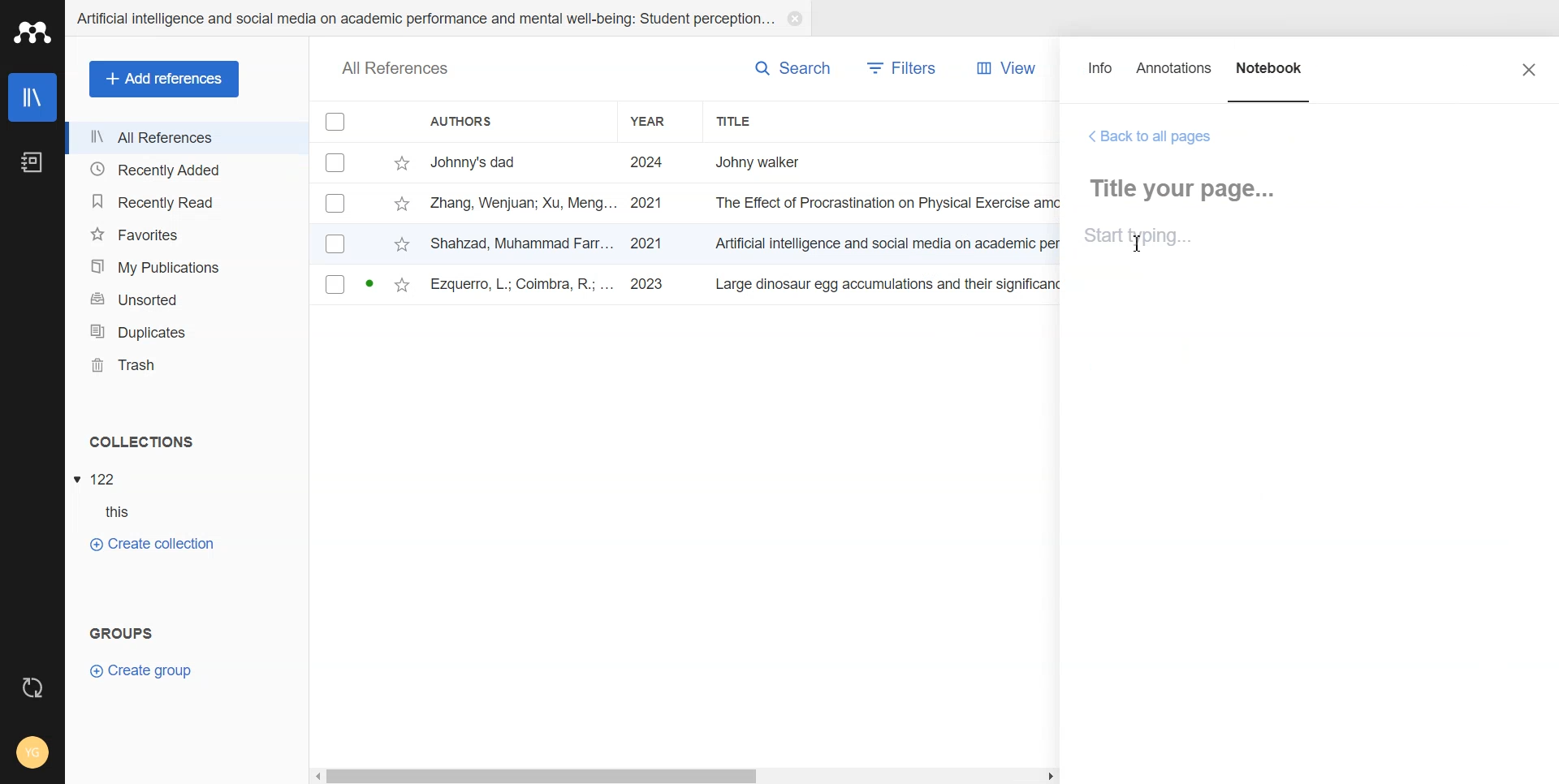  What do you see at coordinates (151, 543) in the screenshot?
I see `Create Collection` at bounding box center [151, 543].